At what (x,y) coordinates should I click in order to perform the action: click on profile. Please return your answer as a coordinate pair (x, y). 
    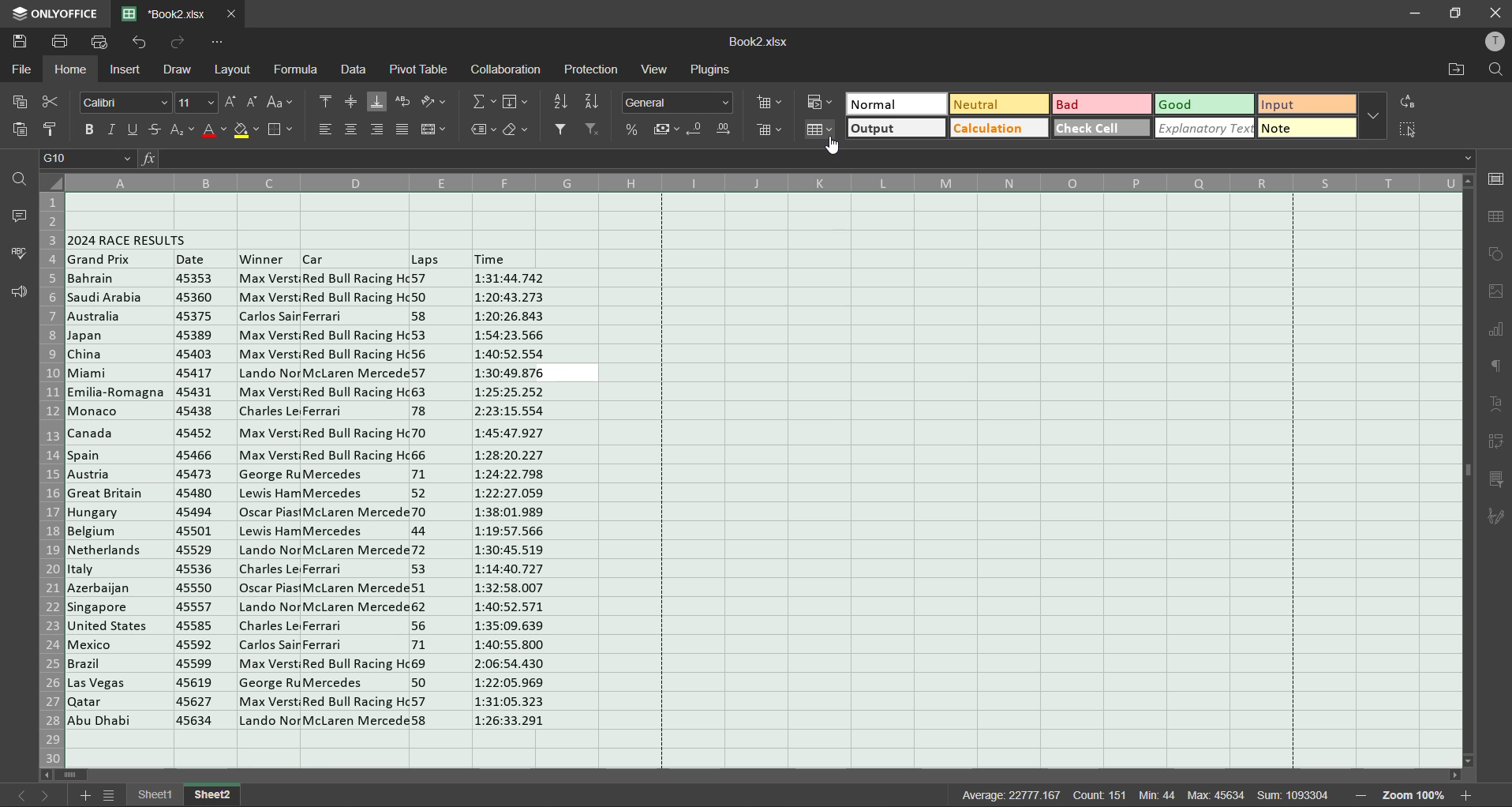
    Looking at the image, I should click on (1489, 41).